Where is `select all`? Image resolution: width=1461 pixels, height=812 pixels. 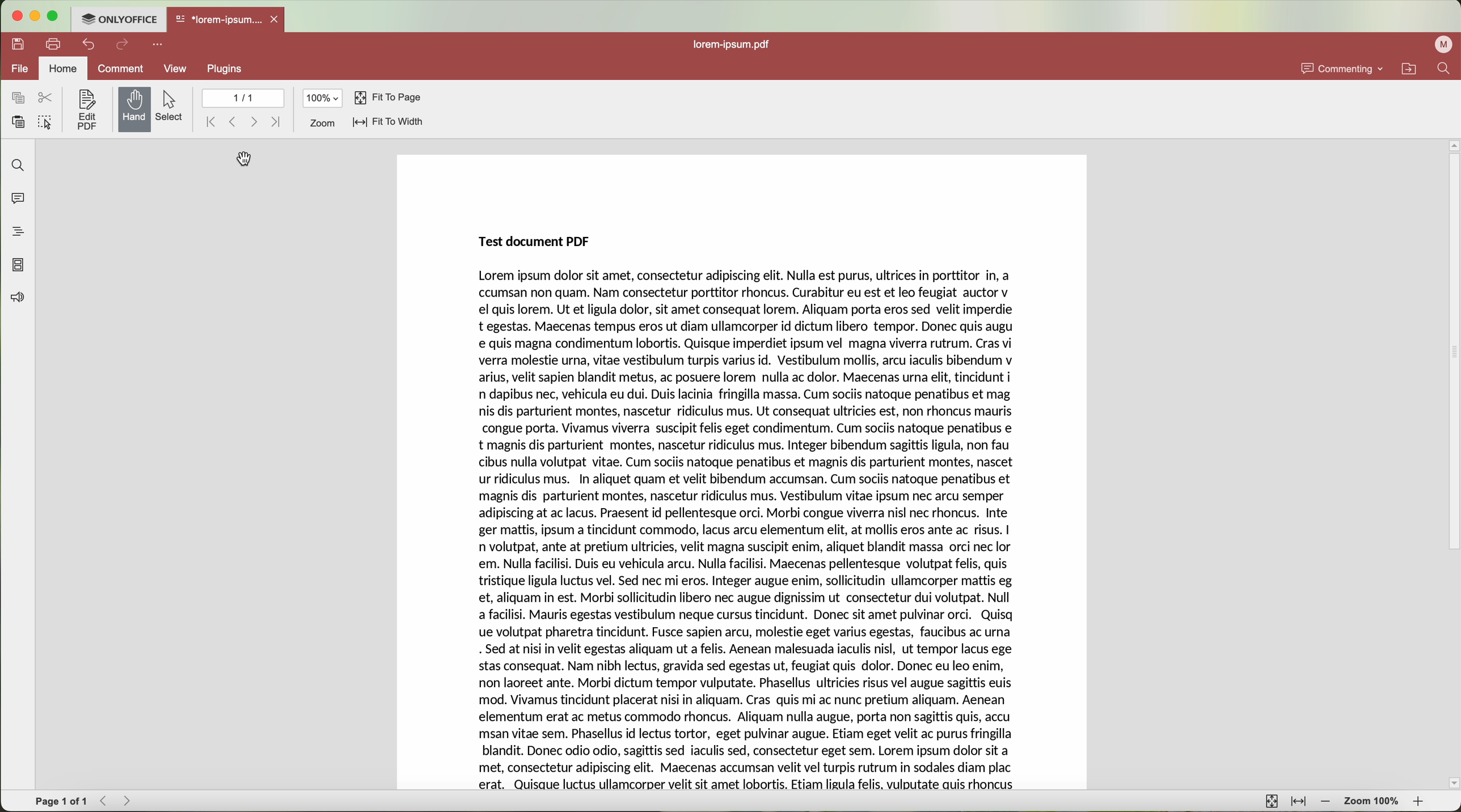 select all is located at coordinates (44, 123).